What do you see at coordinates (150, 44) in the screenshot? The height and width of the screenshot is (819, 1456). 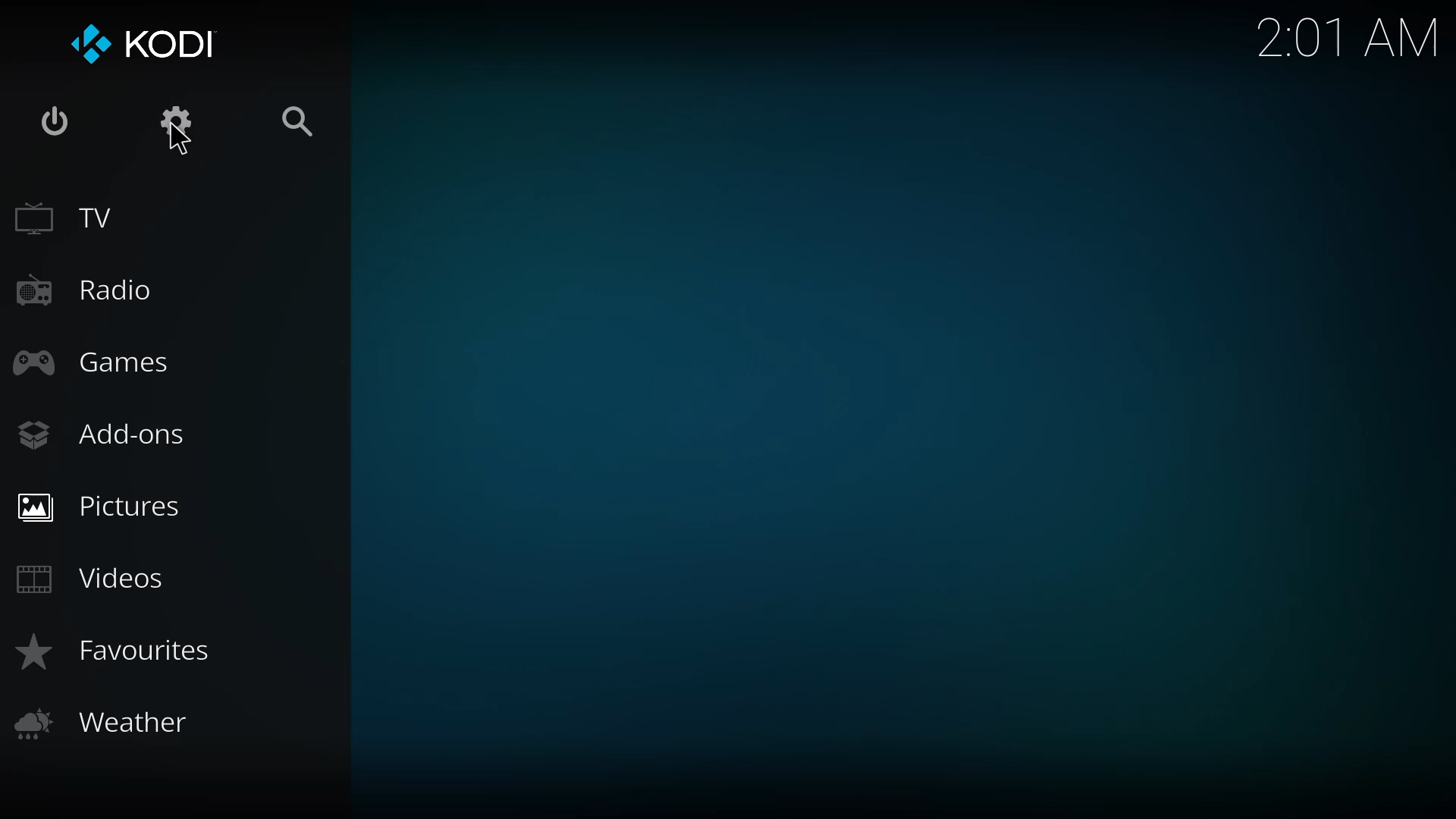 I see `kodi` at bounding box center [150, 44].